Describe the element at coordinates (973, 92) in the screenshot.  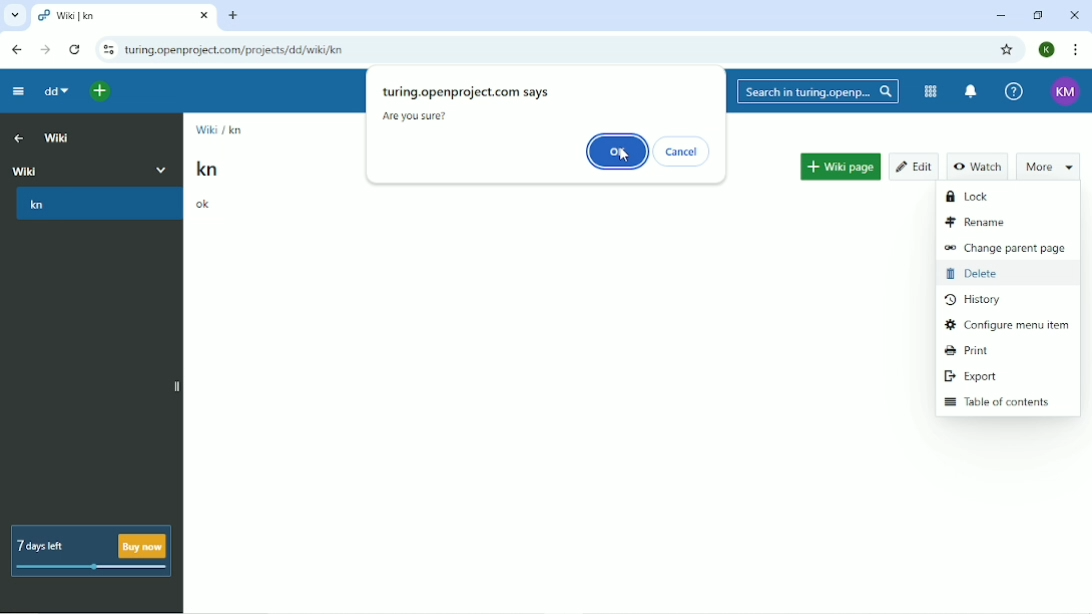
I see `To notification center` at that location.